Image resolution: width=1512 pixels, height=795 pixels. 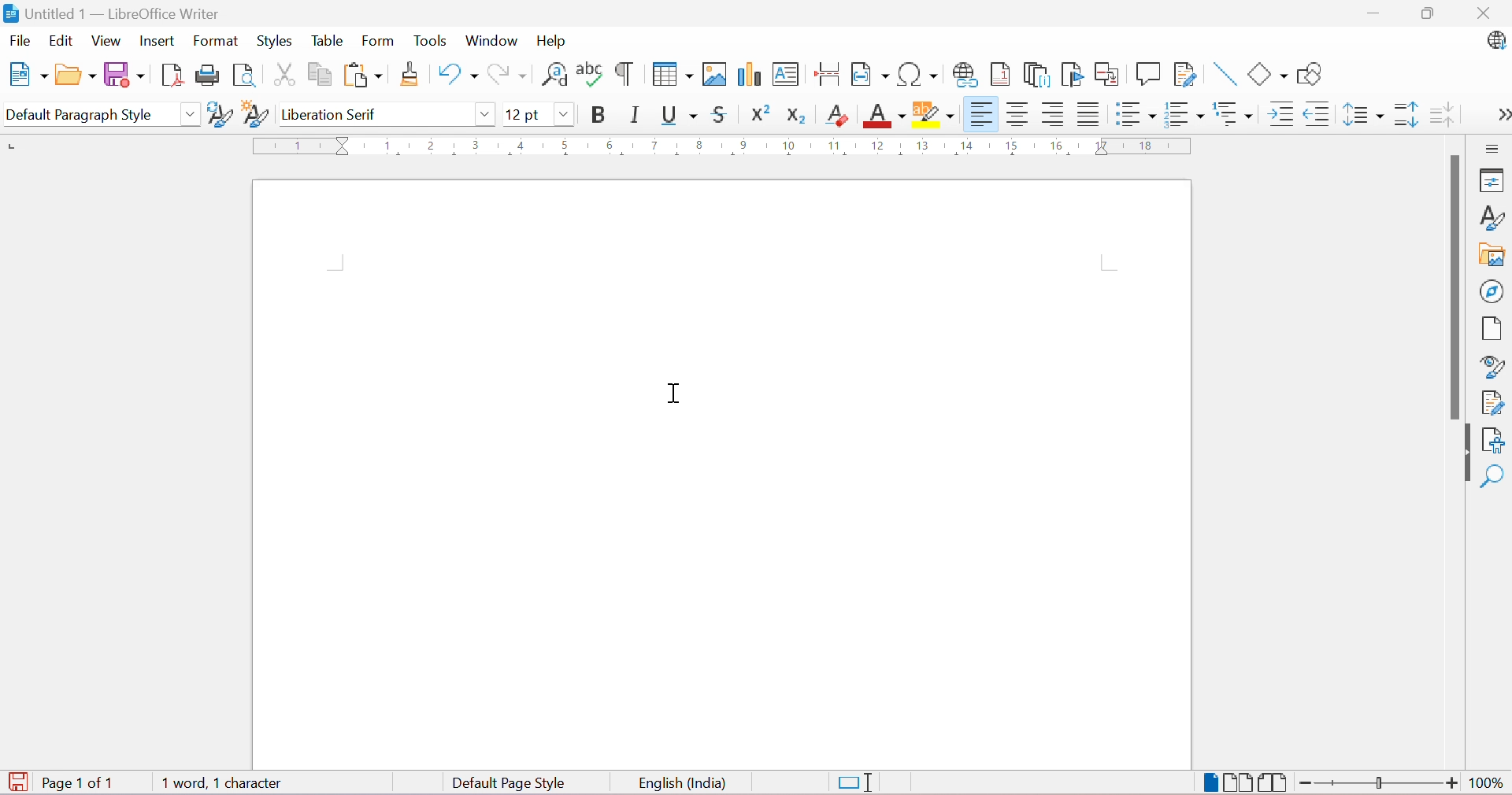 I want to click on Subscript, so click(x=795, y=116).